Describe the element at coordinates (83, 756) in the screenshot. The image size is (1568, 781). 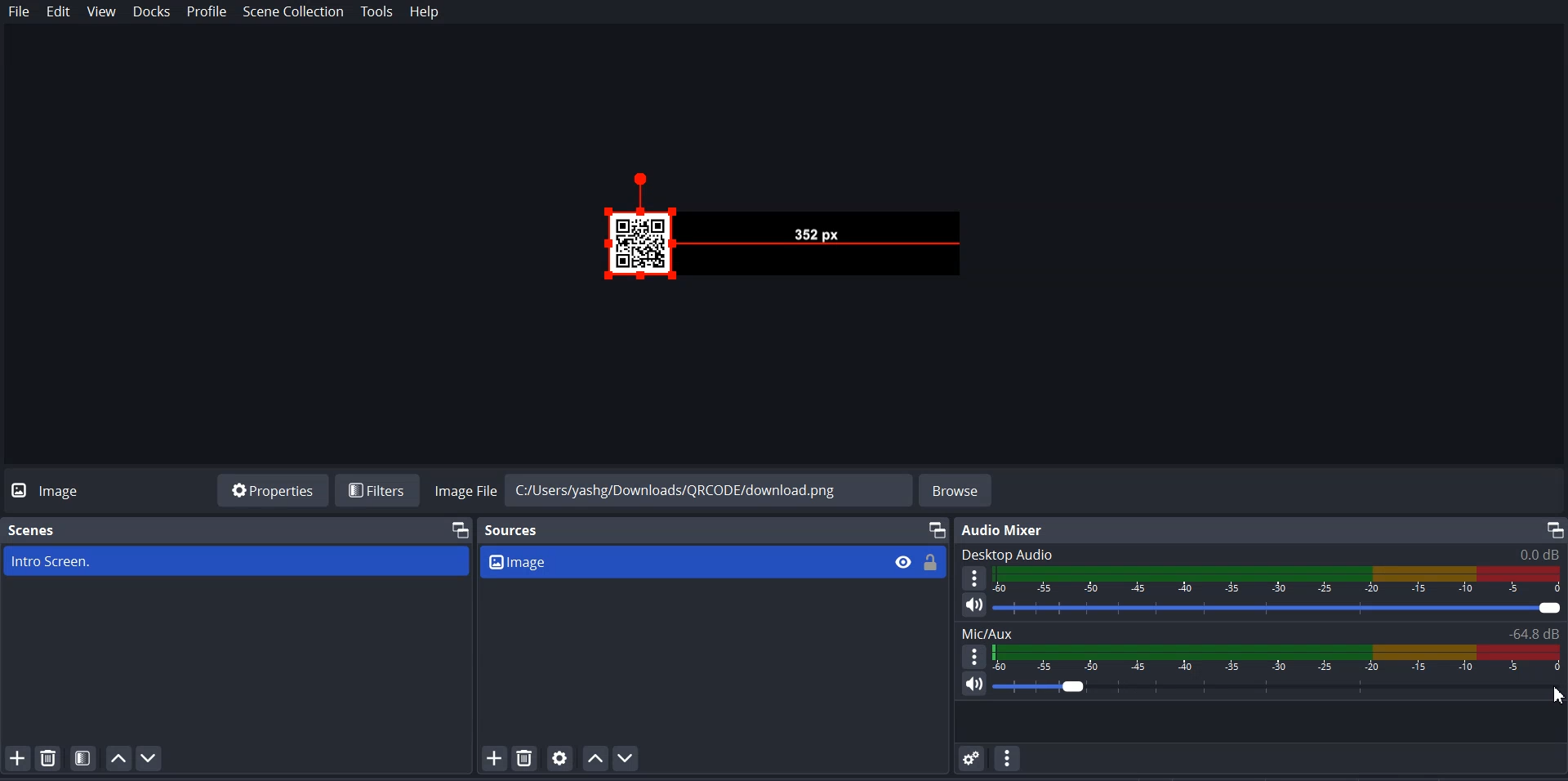
I see `Open scene Filter` at that location.